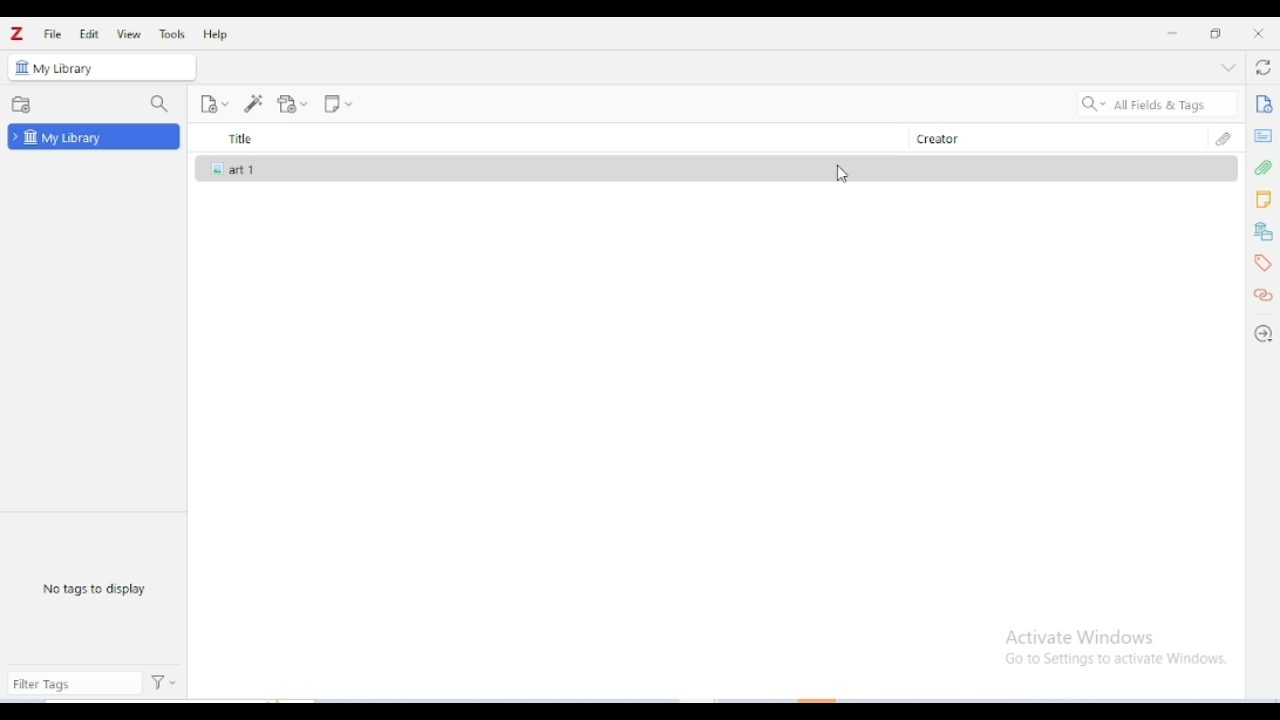 This screenshot has width=1280, height=720. Describe the element at coordinates (214, 104) in the screenshot. I see `new item` at that location.